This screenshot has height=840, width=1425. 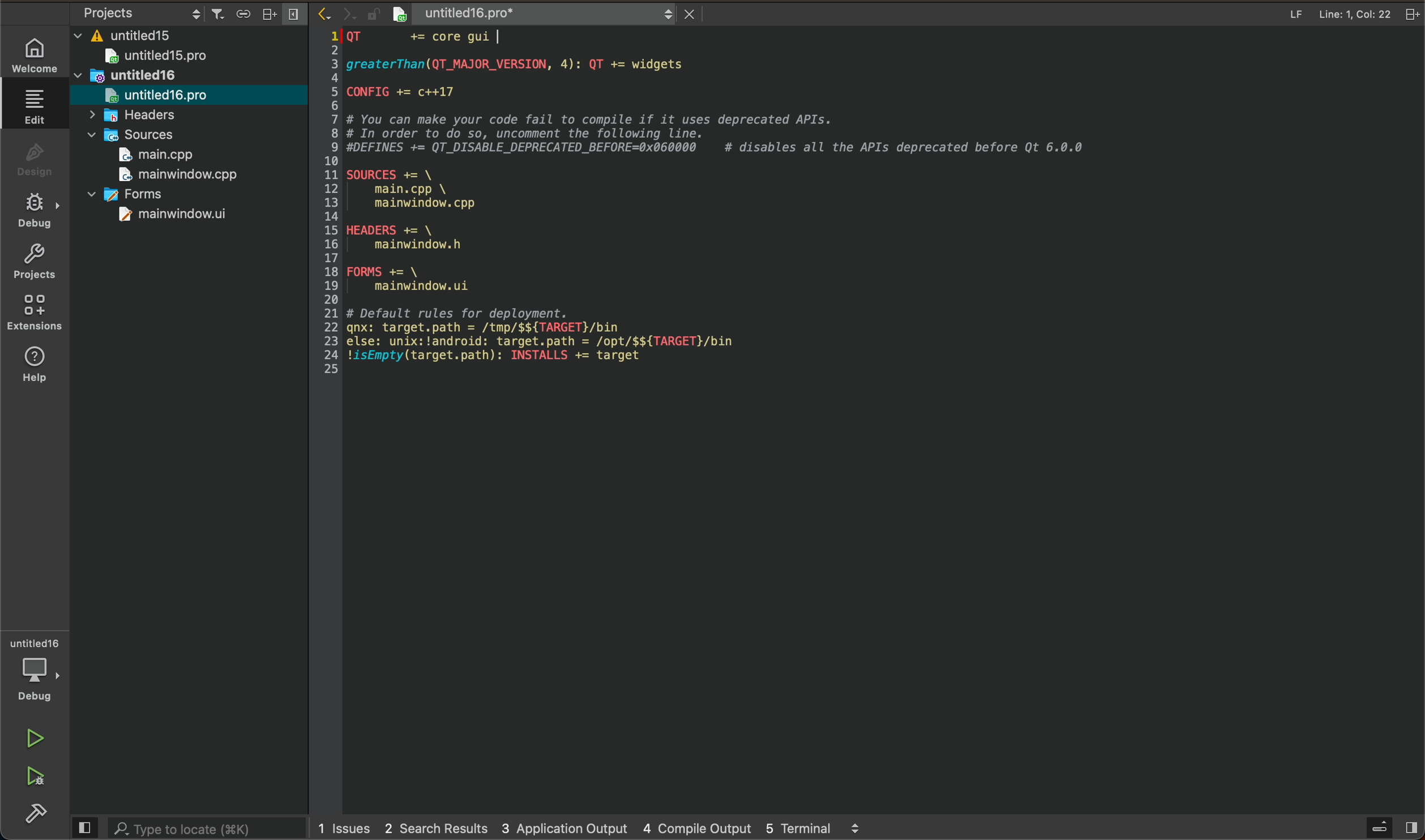 What do you see at coordinates (335, 13) in the screenshot?
I see `arrow icons` at bounding box center [335, 13].